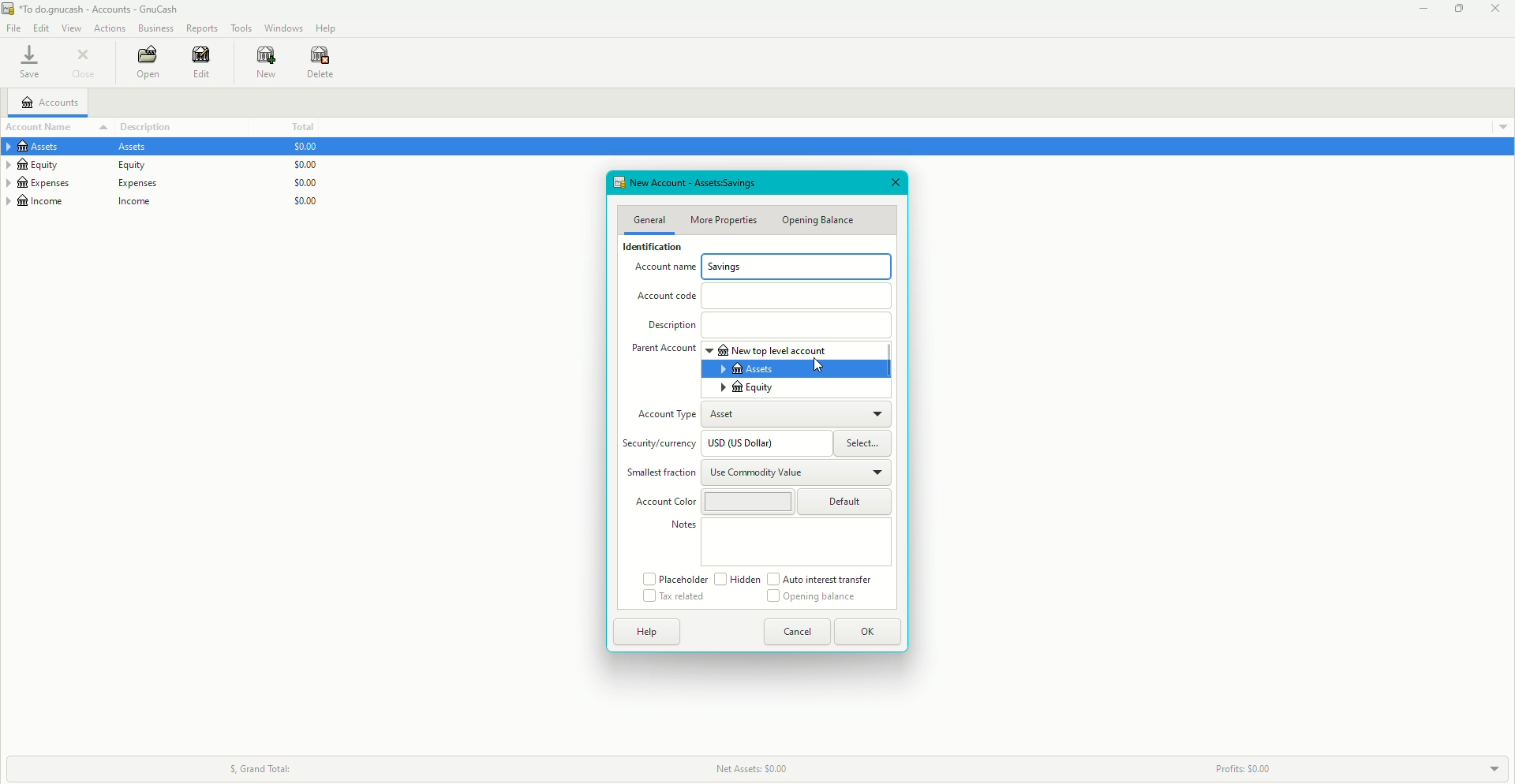  What do you see at coordinates (674, 578) in the screenshot?
I see `Placeholder` at bounding box center [674, 578].